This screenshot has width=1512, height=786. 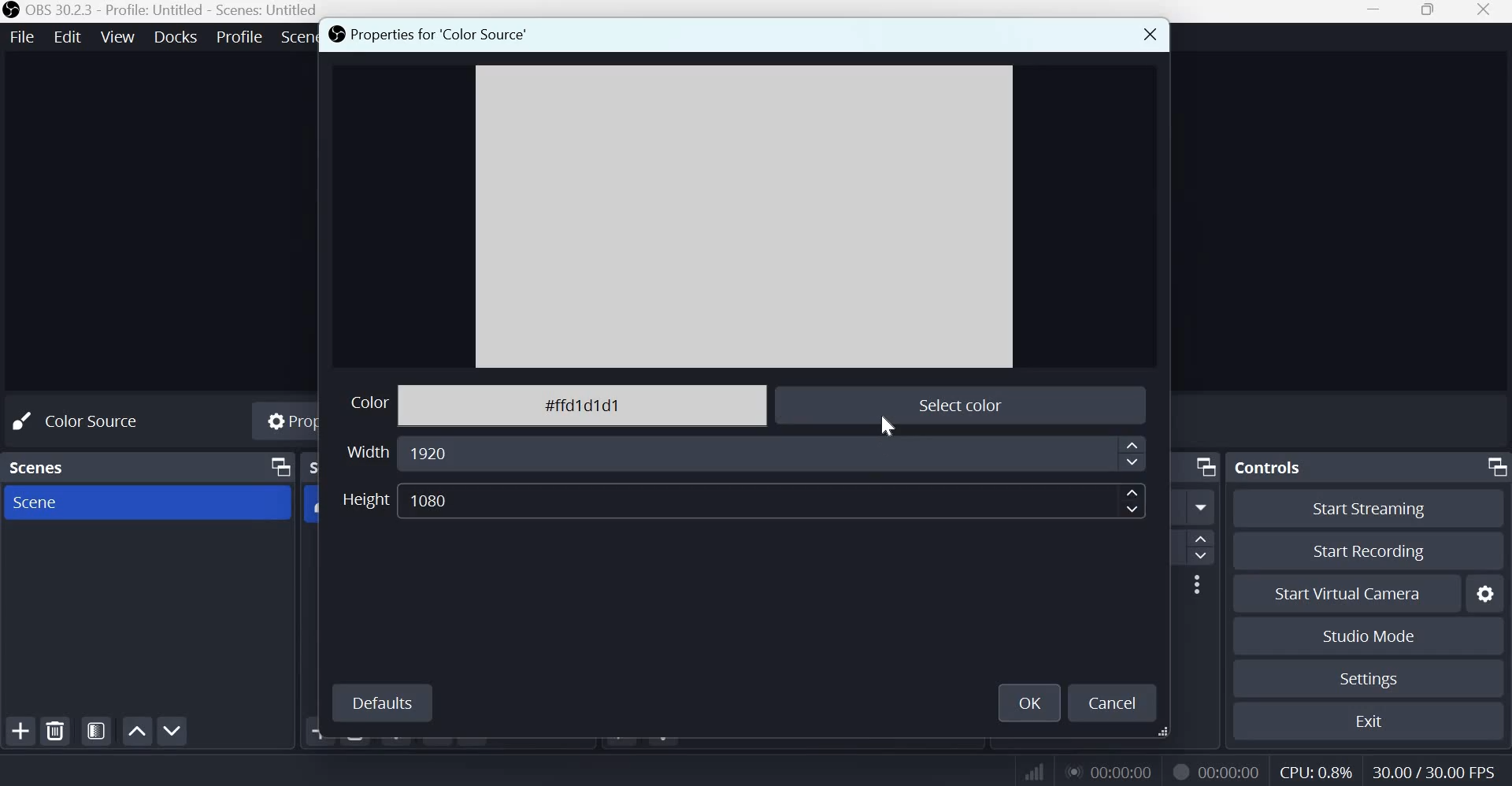 What do you see at coordinates (1429, 770) in the screenshot?
I see `Frame Rate (FPS)` at bounding box center [1429, 770].